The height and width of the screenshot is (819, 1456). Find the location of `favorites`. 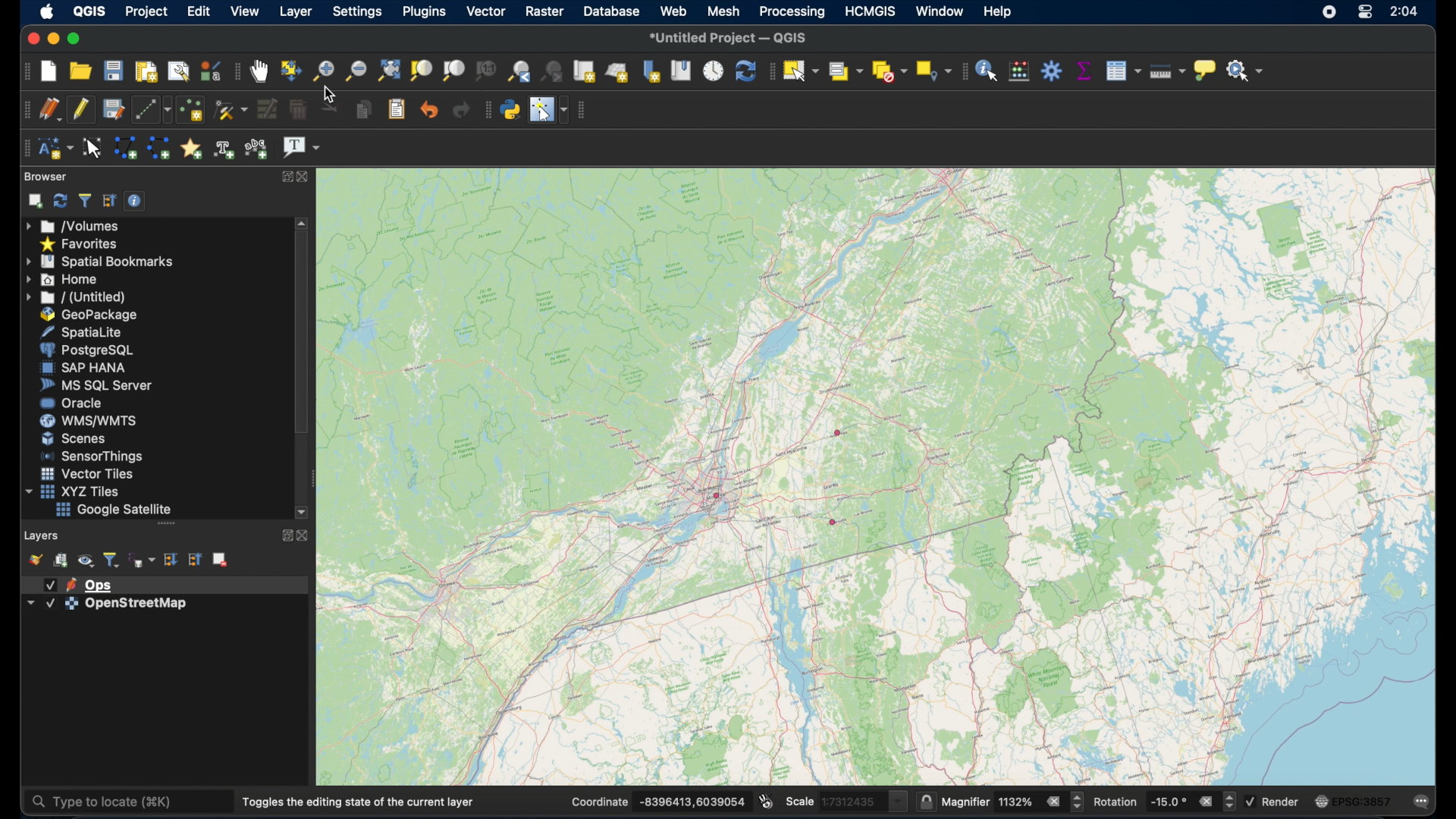

favorites is located at coordinates (81, 243).